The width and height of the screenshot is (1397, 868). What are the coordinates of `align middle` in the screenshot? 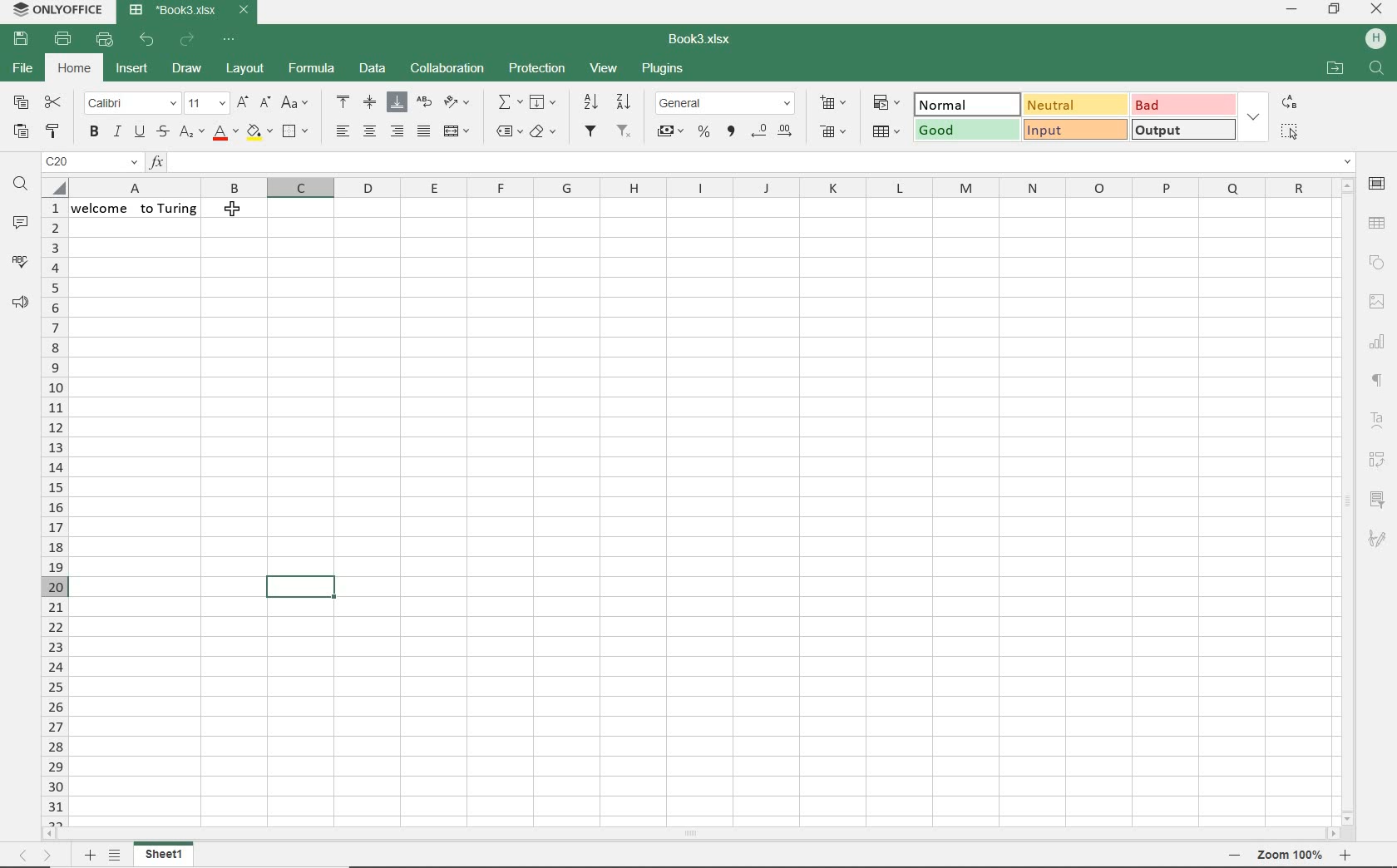 It's located at (369, 102).